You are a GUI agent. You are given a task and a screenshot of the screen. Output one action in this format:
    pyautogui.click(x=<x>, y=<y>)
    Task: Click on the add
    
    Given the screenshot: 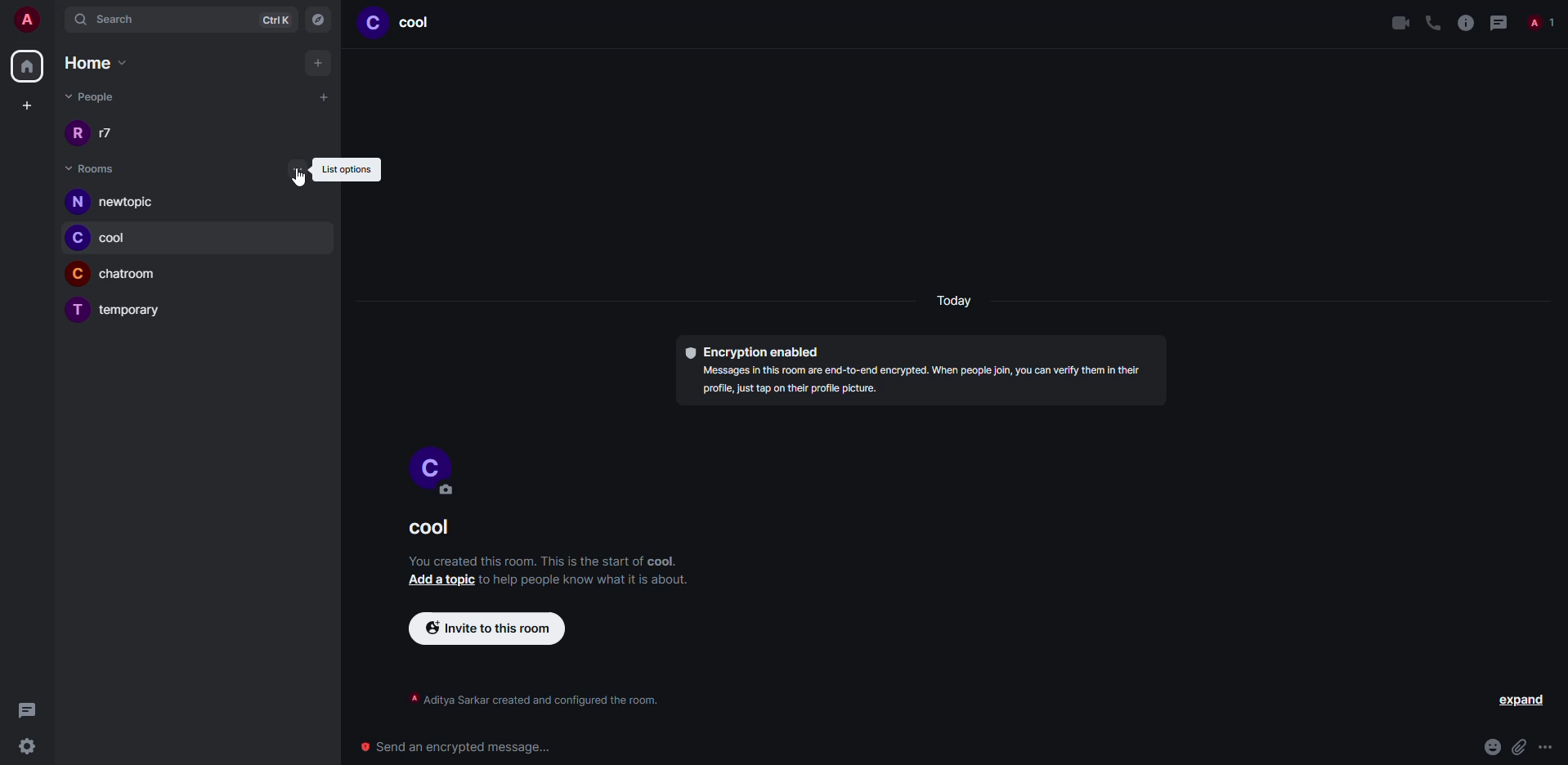 What is the action you would take?
    pyautogui.click(x=320, y=98)
    